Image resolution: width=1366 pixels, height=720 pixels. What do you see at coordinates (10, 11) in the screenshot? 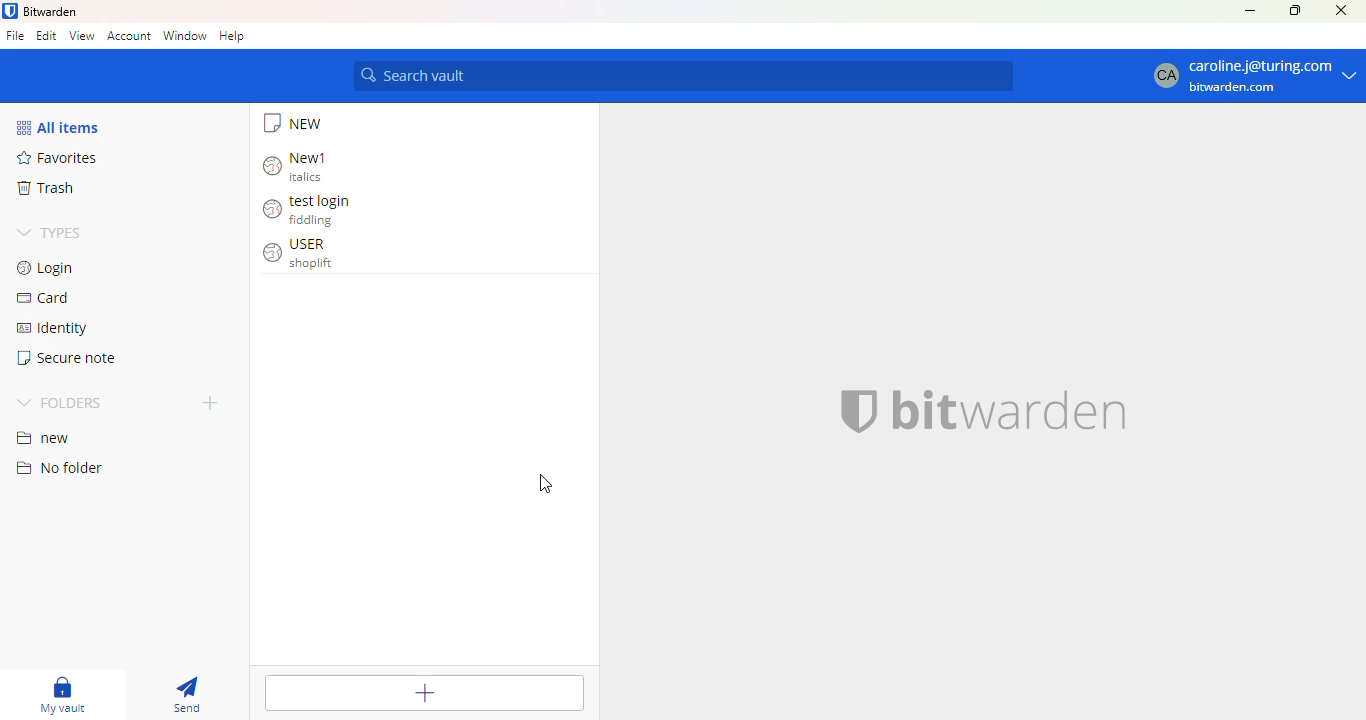
I see `logo` at bounding box center [10, 11].